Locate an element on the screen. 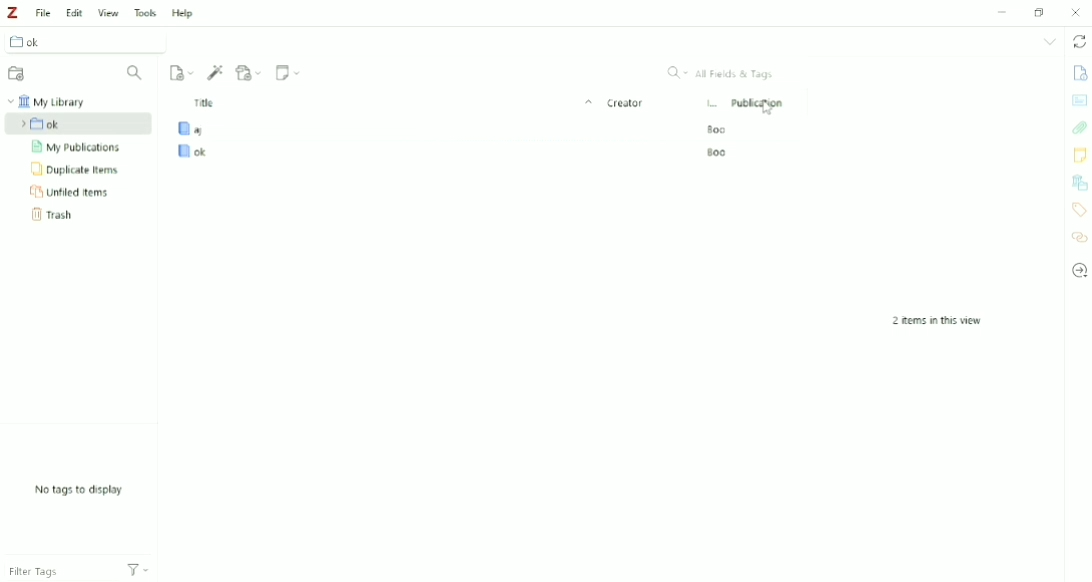  Related is located at coordinates (1079, 237).